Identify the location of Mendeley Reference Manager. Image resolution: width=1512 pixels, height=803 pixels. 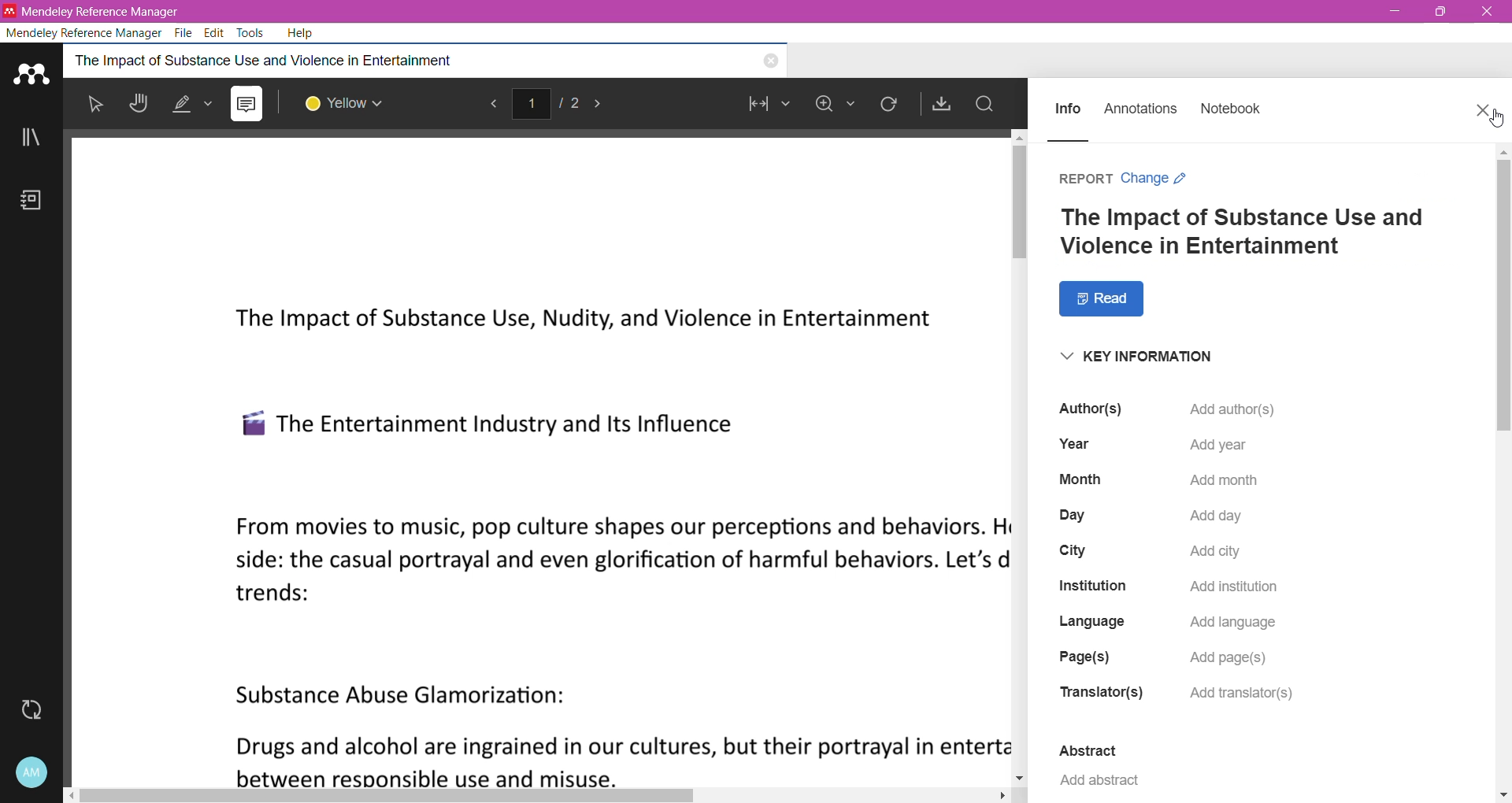
(85, 31).